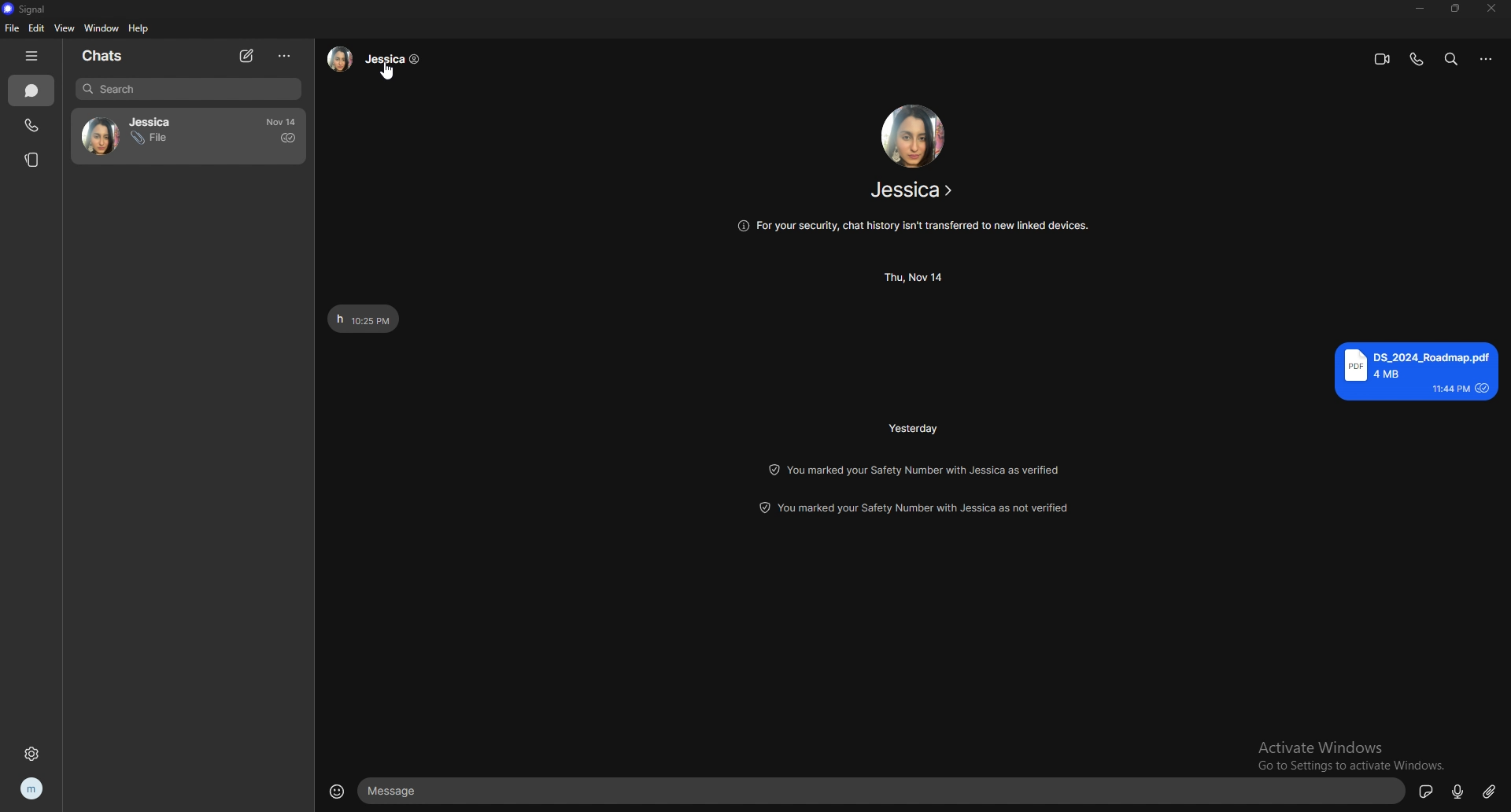 Image resolution: width=1511 pixels, height=812 pixels. Describe the element at coordinates (1458, 791) in the screenshot. I see `voice message` at that location.